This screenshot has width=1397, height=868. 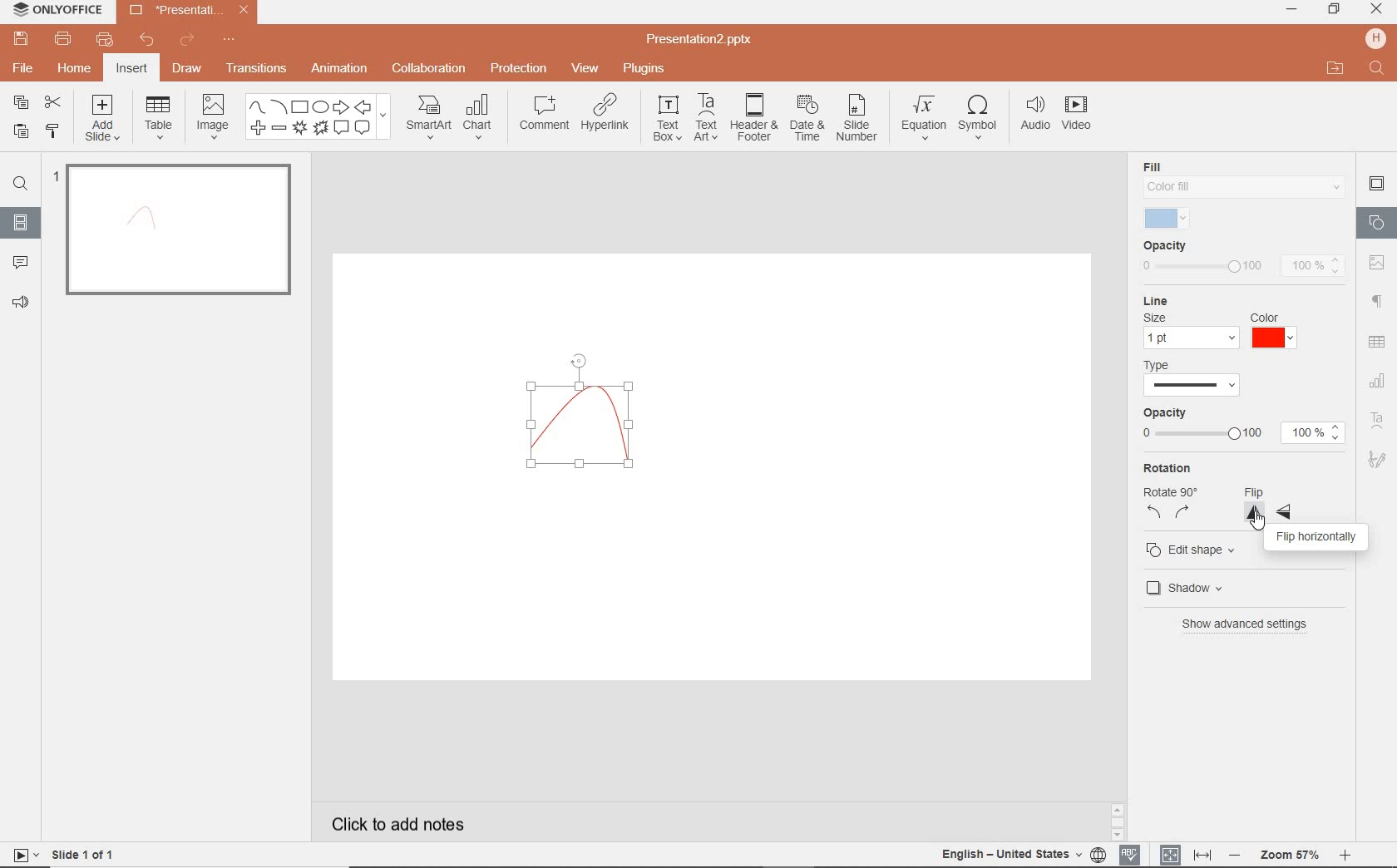 I want to click on opacity, so click(x=1205, y=428).